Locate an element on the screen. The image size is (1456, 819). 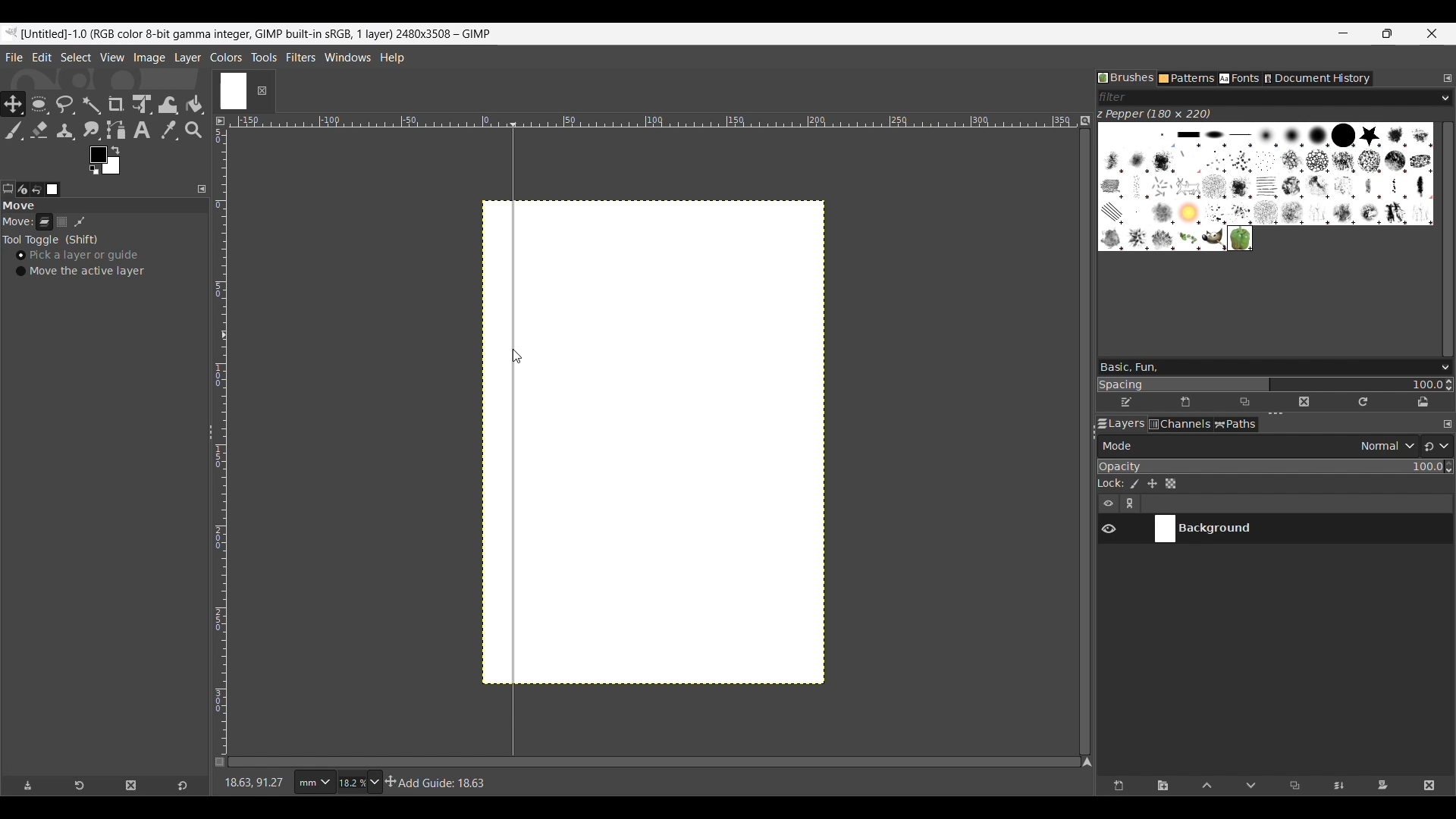
Delete layer is located at coordinates (1429, 786).